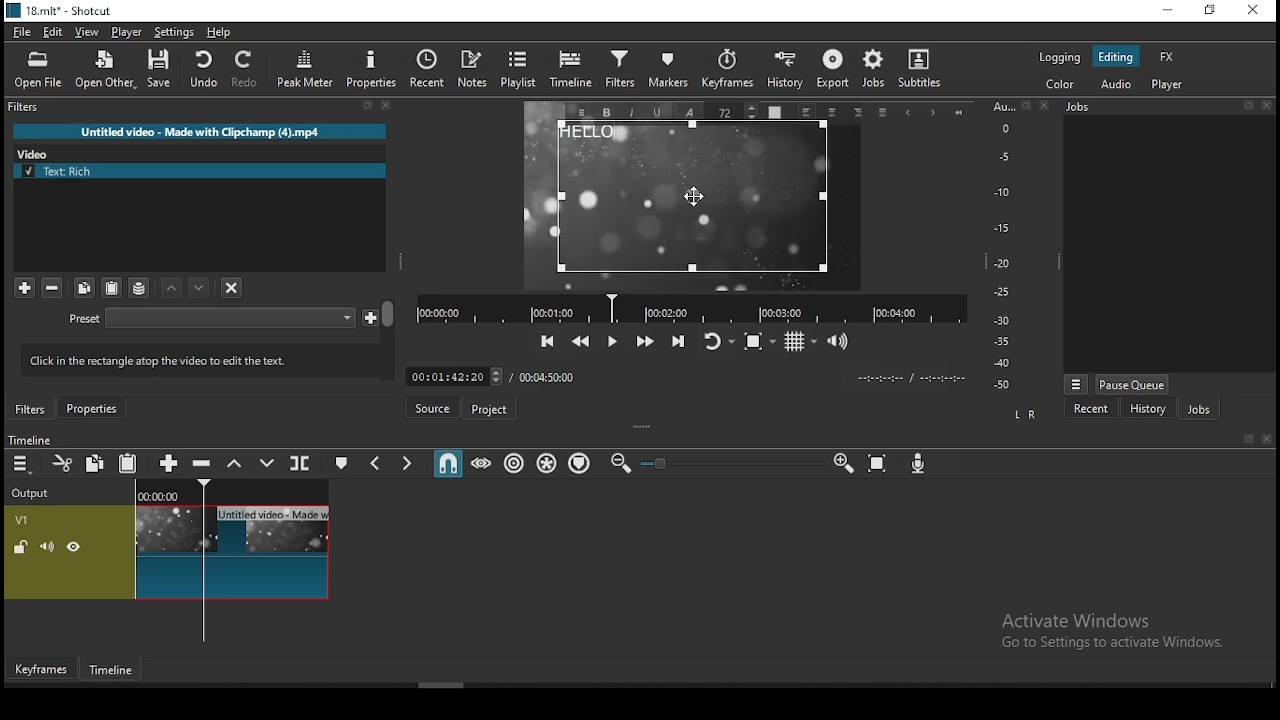 This screenshot has width=1280, height=720. What do you see at coordinates (1248, 105) in the screenshot?
I see `Detach` at bounding box center [1248, 105].